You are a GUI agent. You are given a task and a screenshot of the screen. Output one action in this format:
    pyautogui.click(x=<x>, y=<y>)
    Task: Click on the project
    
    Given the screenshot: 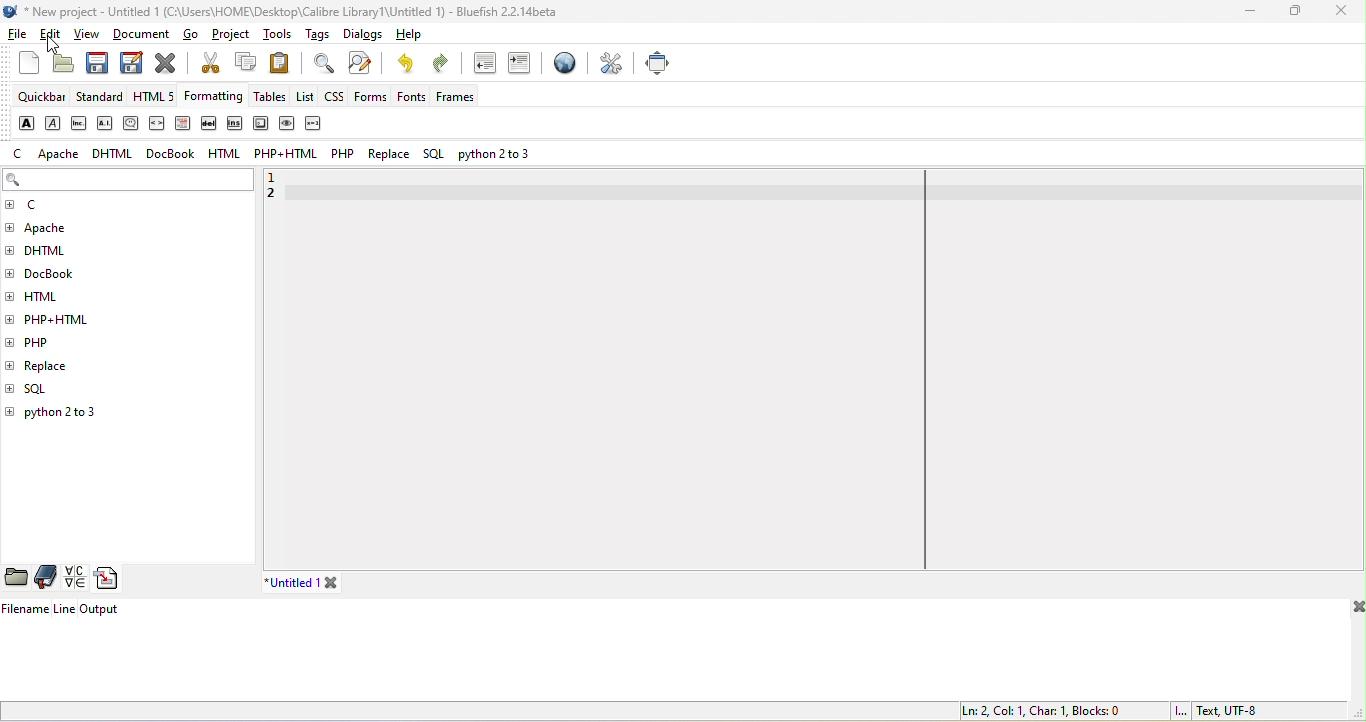 What is the action you would take?
    pyautogui.click(x=233, y=37)
    